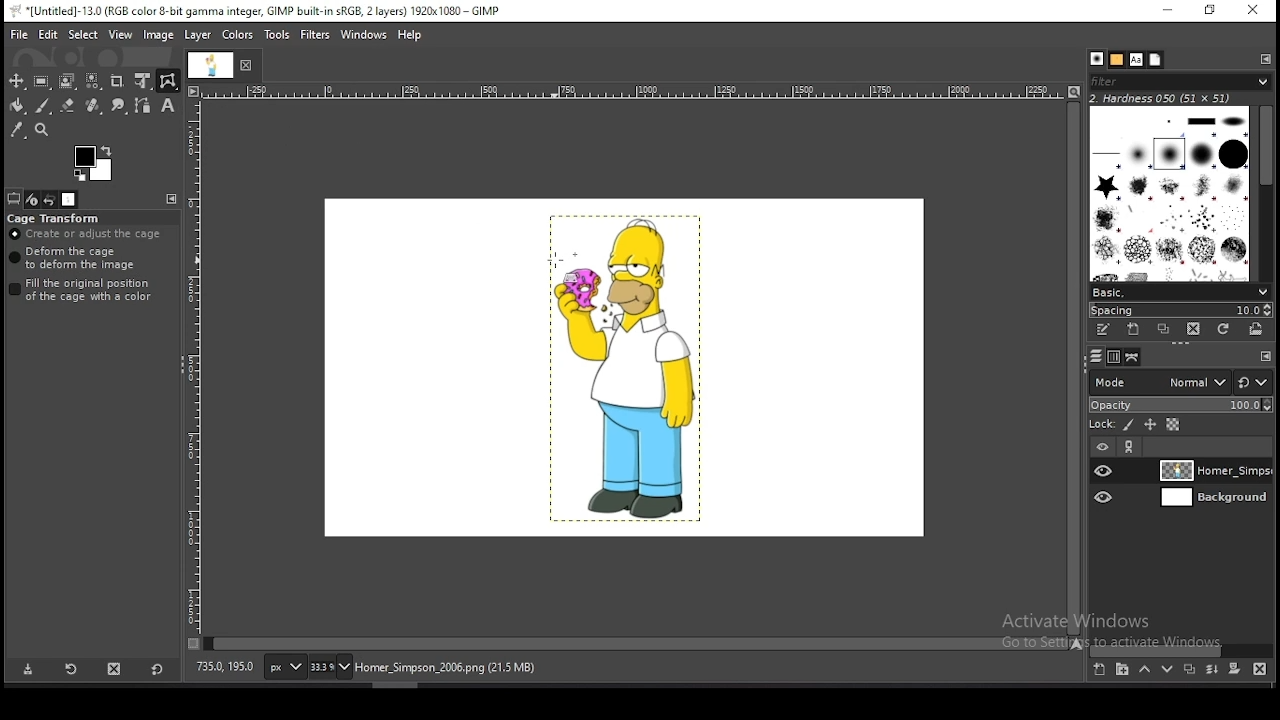 This screenshot has width=1280, height=720. Describe the element at coordinates (160, 37) in the screenshot. I see `image` at that location.